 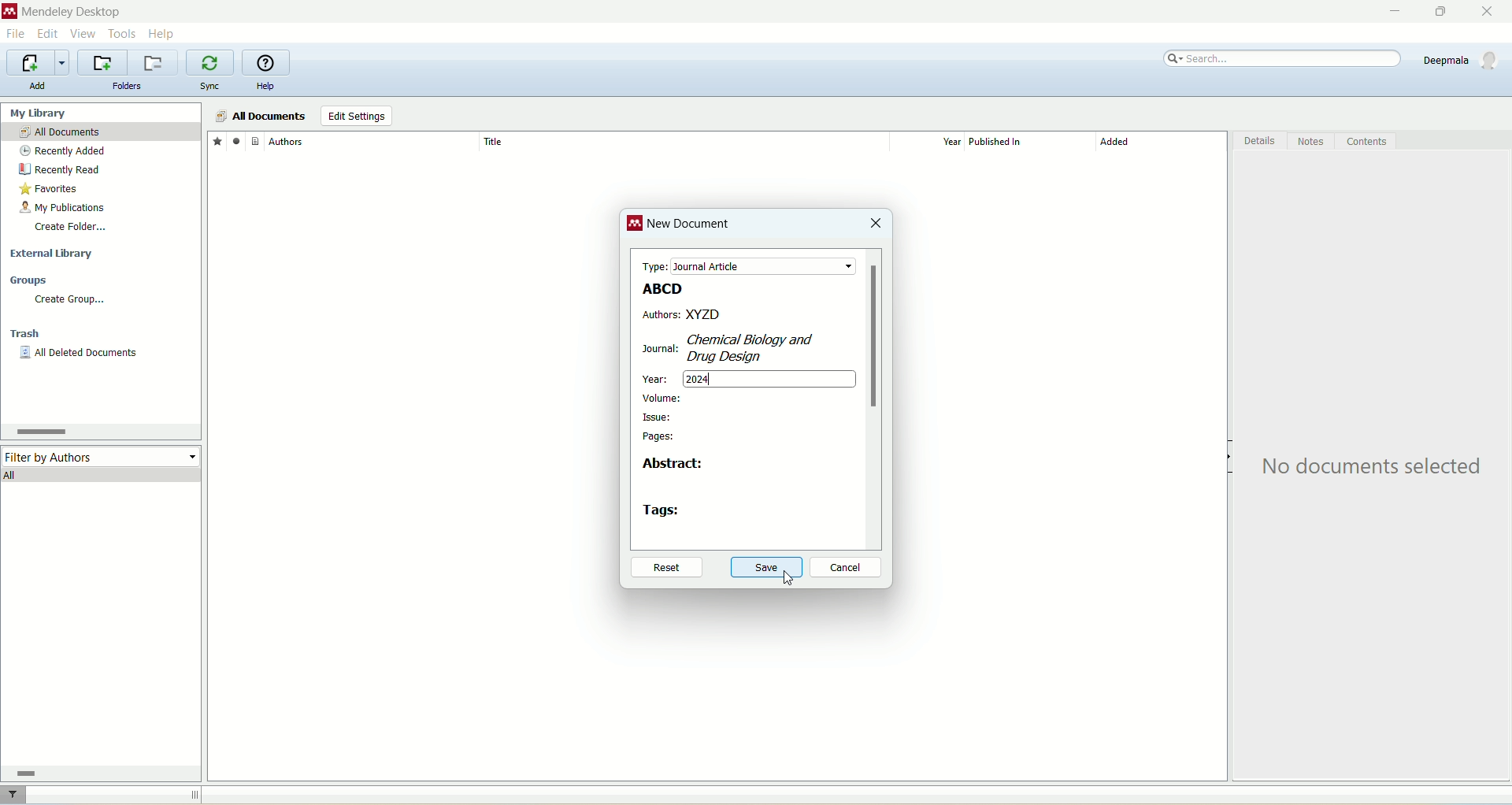 What do you see at coordinates (102, 455) in the screenshot?
I see `filter by author` at bounding box center [102, 455].